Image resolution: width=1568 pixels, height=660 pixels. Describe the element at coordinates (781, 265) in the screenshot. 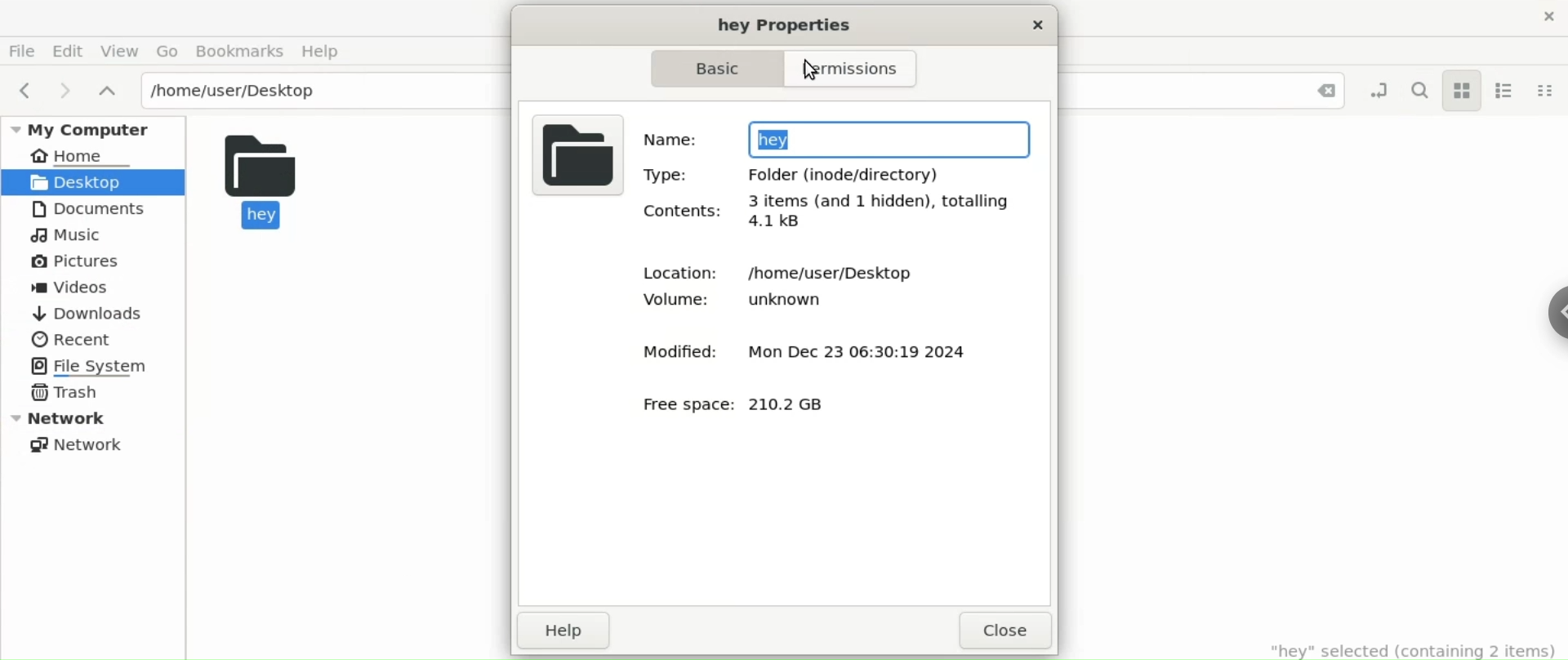

I see `Location: /home/user/Desktop` at that location.